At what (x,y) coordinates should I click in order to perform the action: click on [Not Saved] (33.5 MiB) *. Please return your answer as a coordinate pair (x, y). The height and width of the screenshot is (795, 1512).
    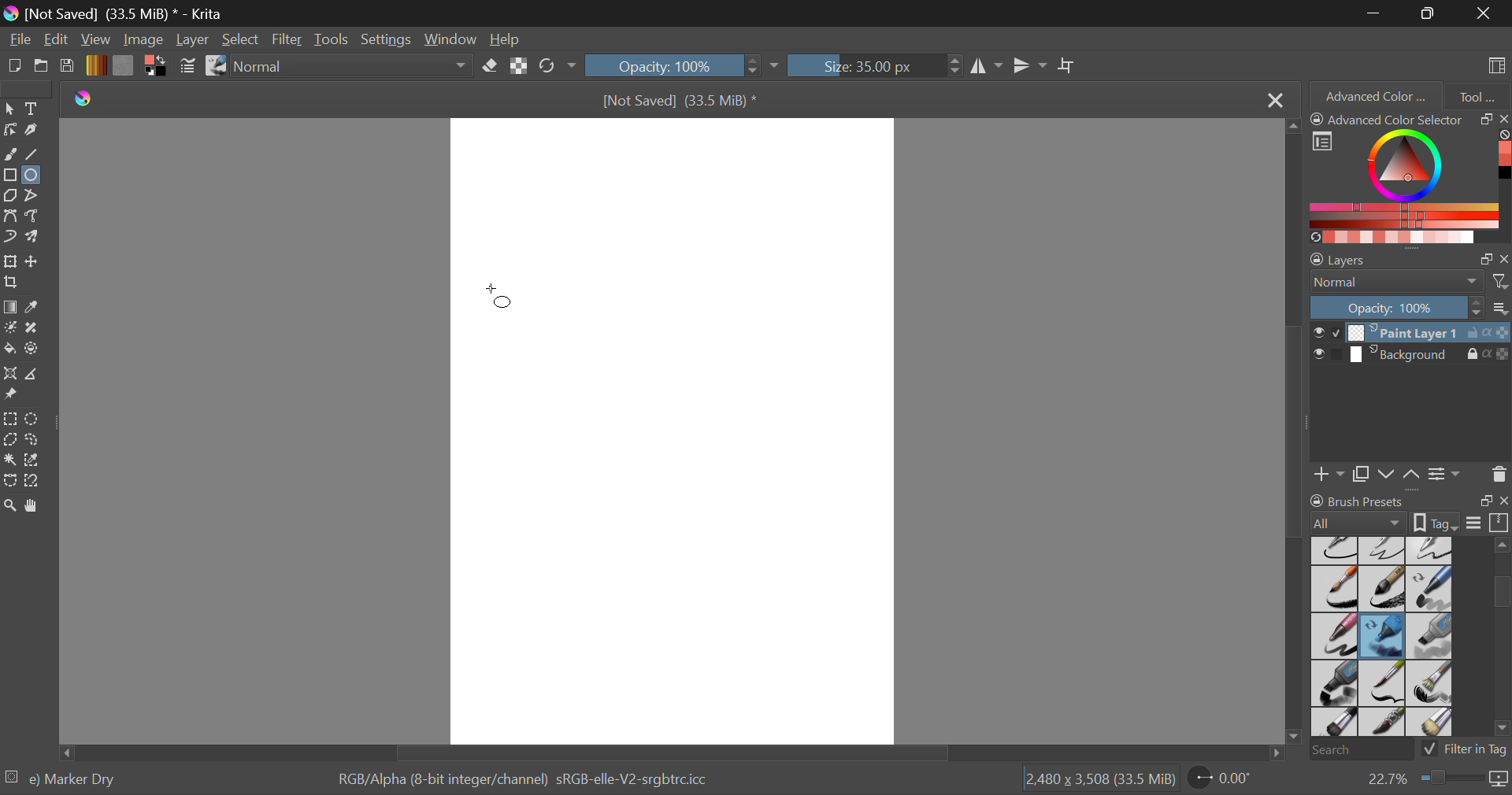
    Looking at the image, I should click on (687, 100).